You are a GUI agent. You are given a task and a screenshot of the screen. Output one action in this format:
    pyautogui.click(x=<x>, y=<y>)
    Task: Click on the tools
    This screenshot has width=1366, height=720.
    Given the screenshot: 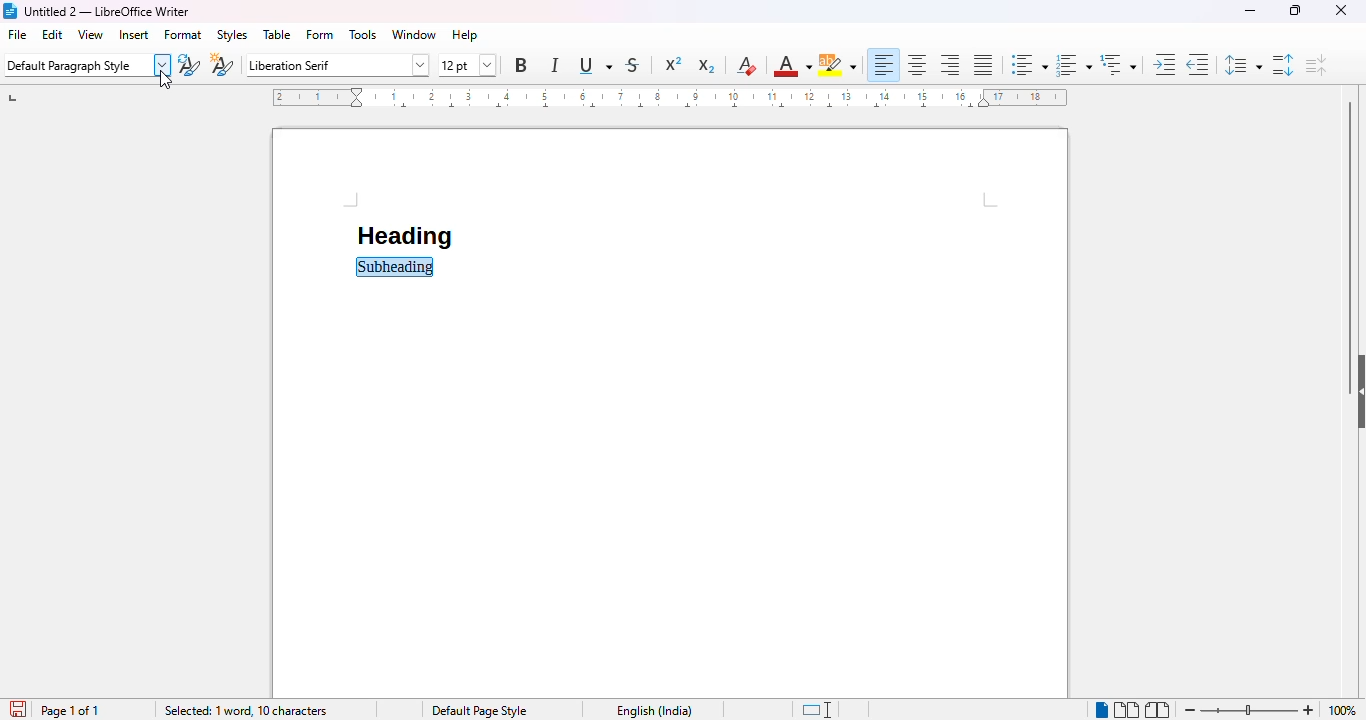 What is the action you would take?
    pyautogui.click(x=363, y=35)
    